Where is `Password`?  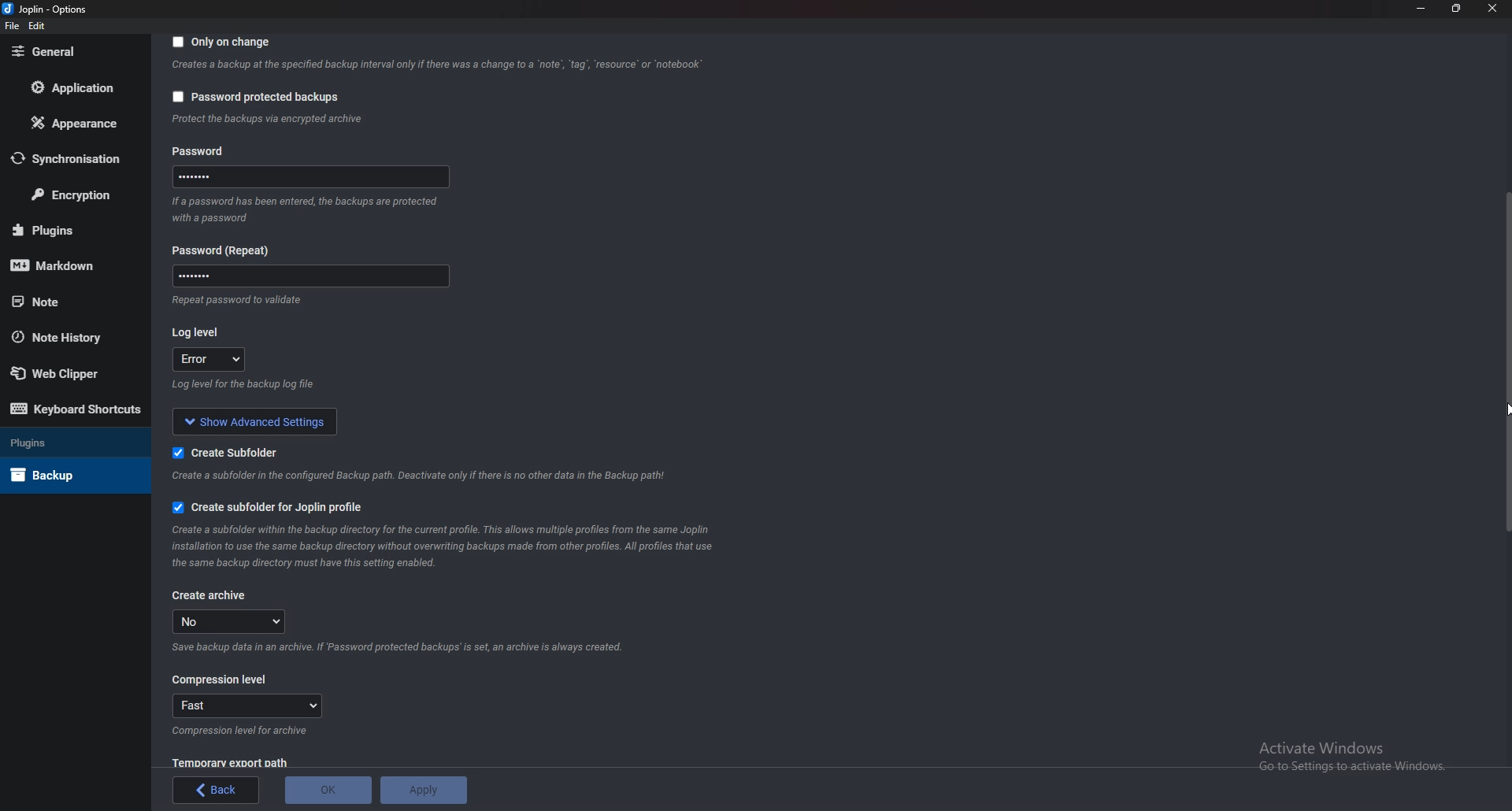 Password is located at coordinates (222, 150).